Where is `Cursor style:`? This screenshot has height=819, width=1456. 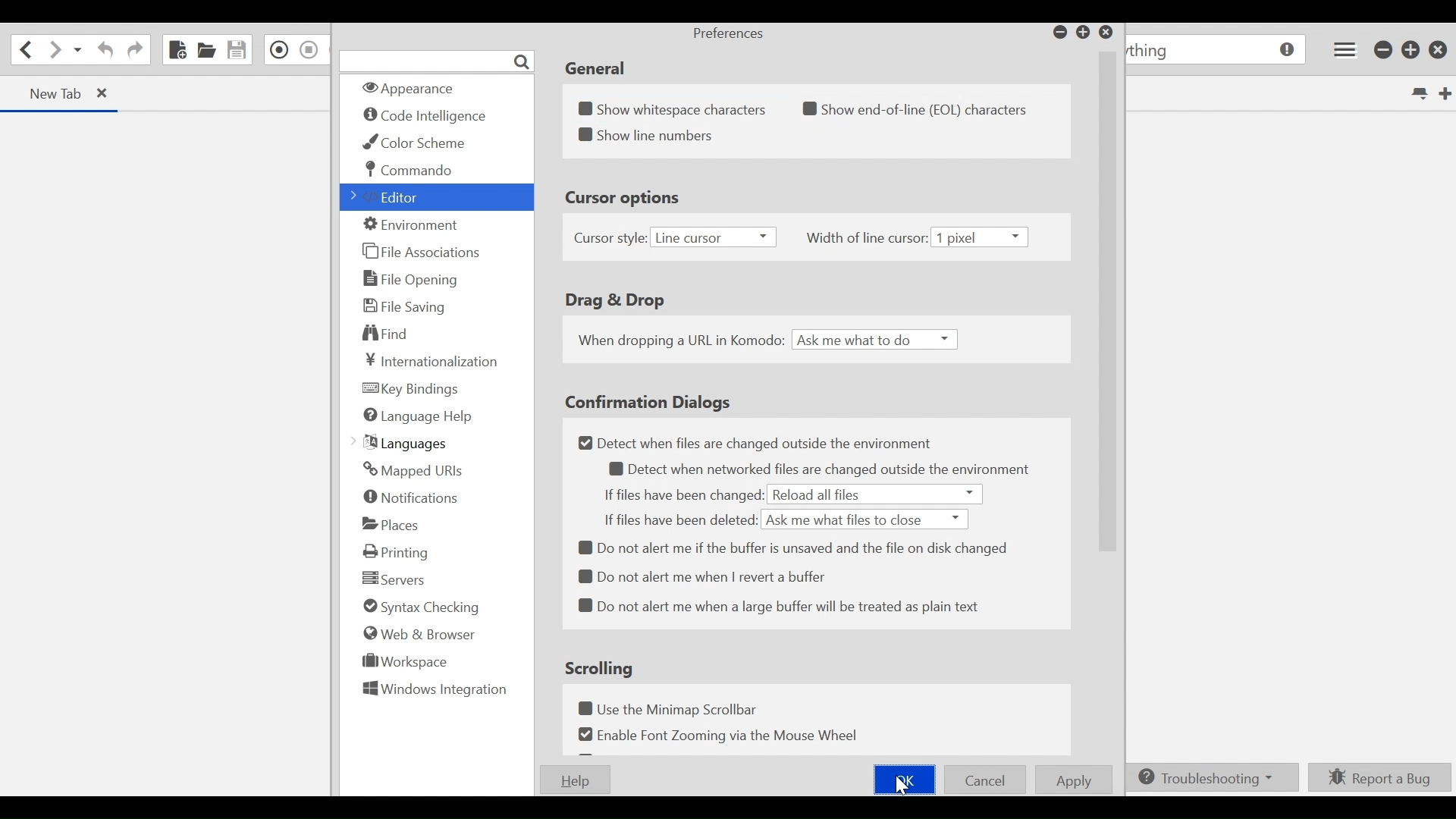
Cursor style: is located at coordinates (610, 238).